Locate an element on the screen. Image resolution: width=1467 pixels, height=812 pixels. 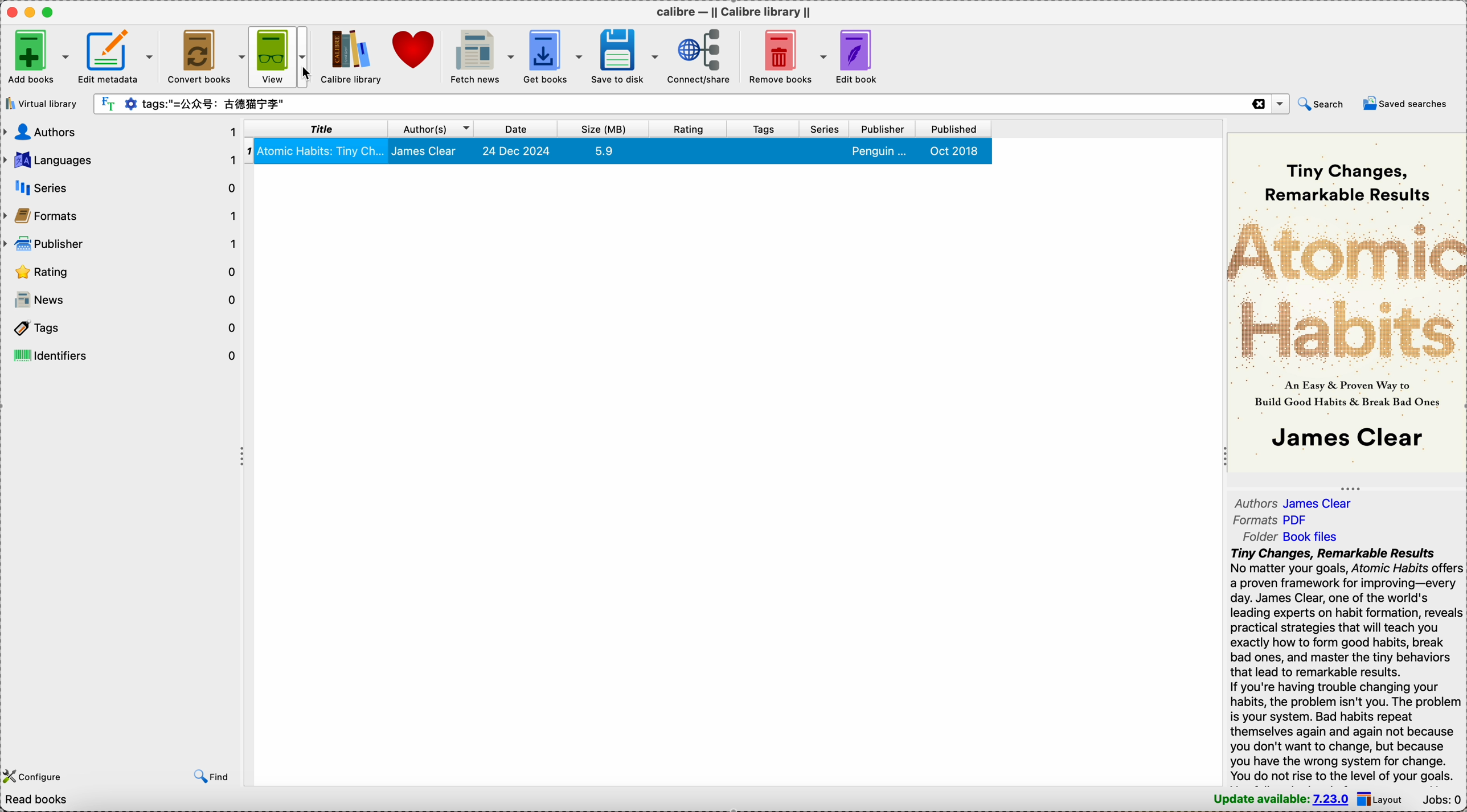
publisher is located at coordinates (885, 129).